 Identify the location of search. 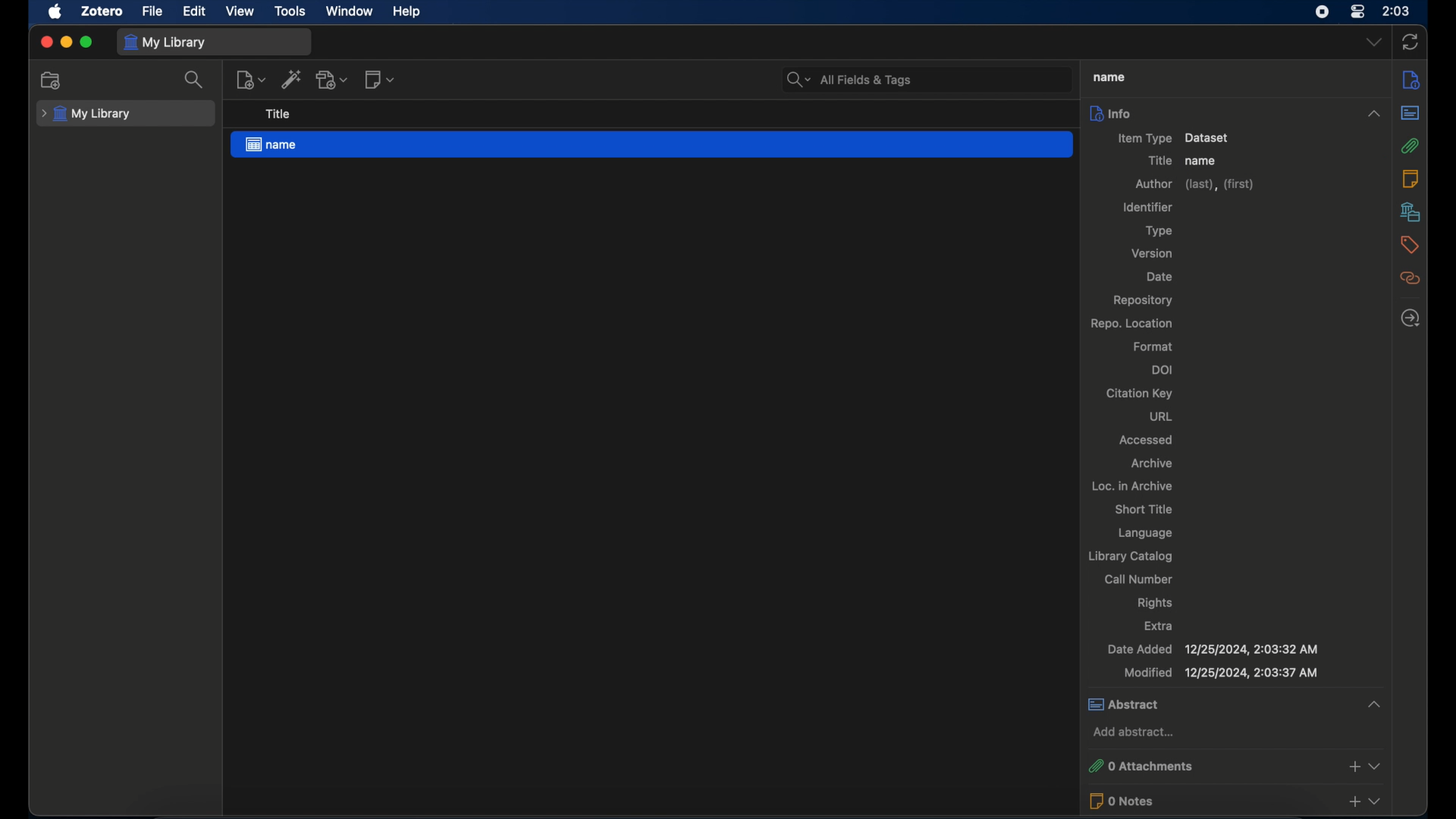
(196, 80).